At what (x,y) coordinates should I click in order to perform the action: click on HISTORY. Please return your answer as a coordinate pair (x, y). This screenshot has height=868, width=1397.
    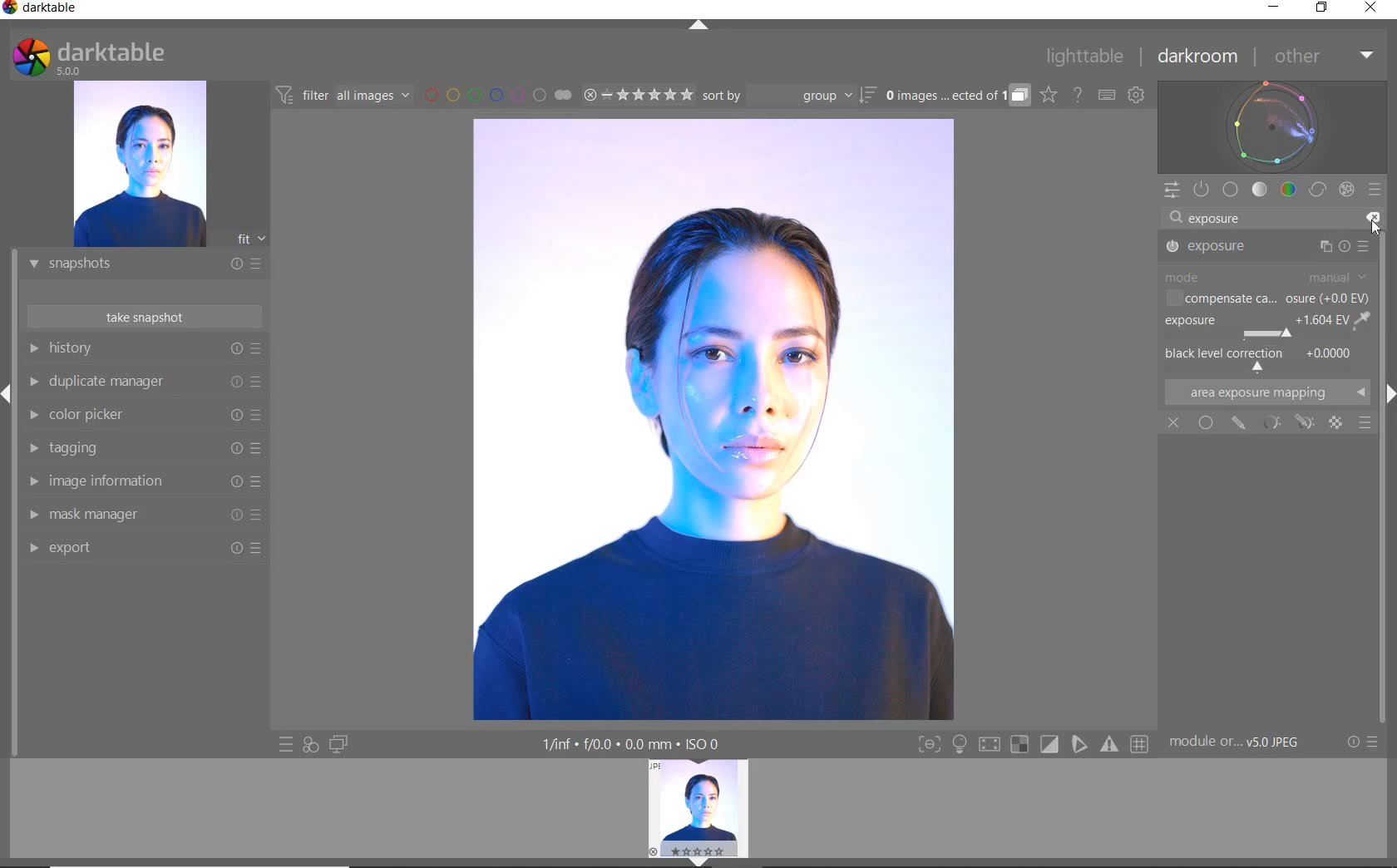
    Looking at the image, I should click on (146, 352).